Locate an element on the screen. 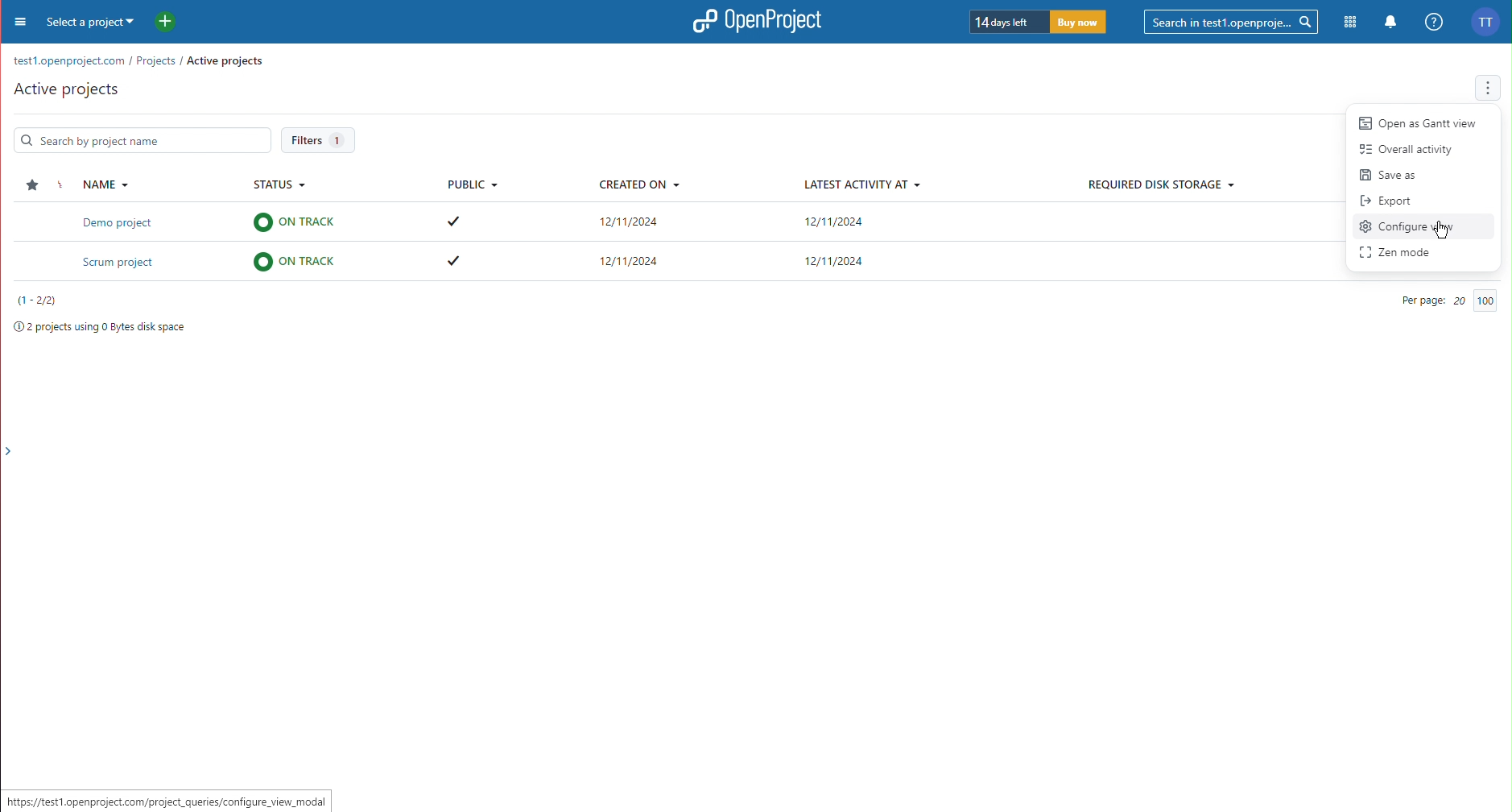 This screenshot has height=812, width=1512. Name is located at coordinates (96, 180).